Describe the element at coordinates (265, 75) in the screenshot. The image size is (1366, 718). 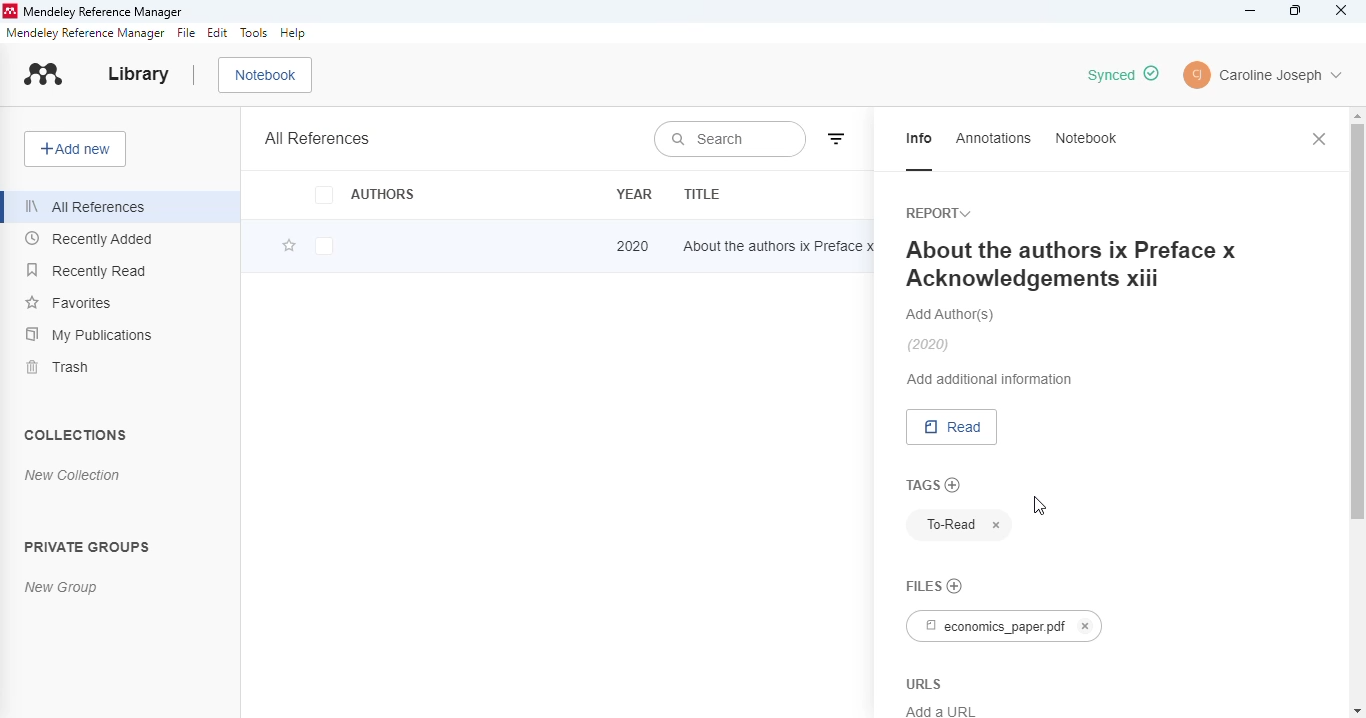
I see `notebook` at that location.